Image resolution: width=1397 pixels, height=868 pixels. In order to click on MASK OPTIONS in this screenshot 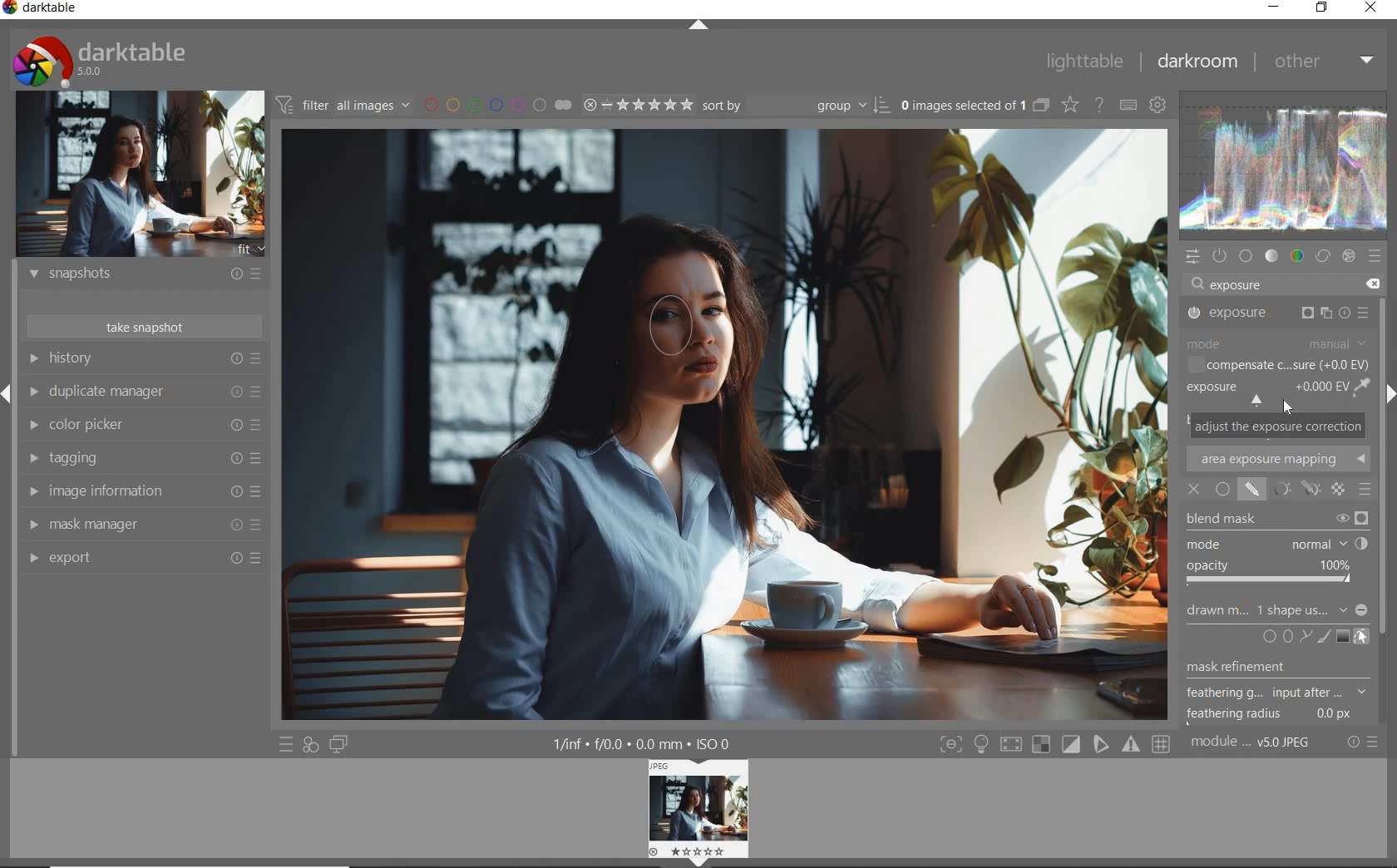, I will do `click(1291, 489)`.